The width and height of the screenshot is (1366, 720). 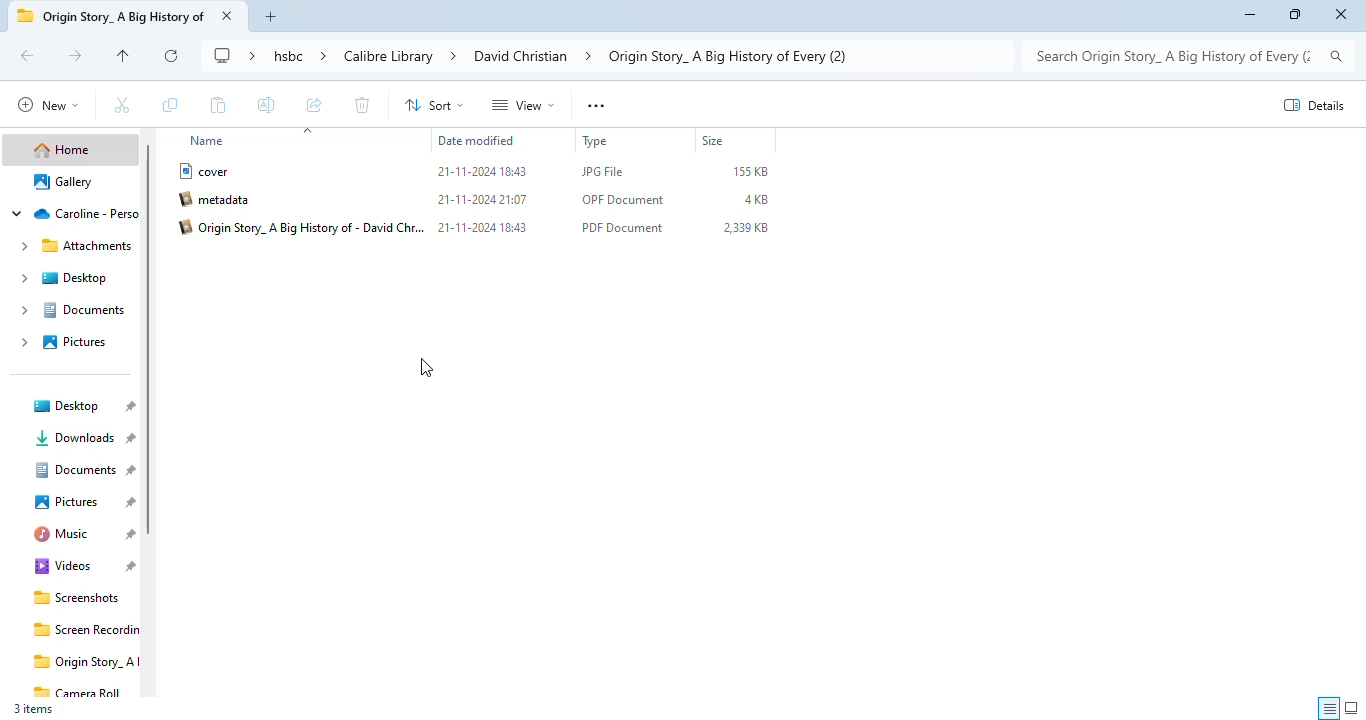 What do you see at coordinates (624, 201) in the screenshot?
I see `file type` at bounding box center [624, 201].